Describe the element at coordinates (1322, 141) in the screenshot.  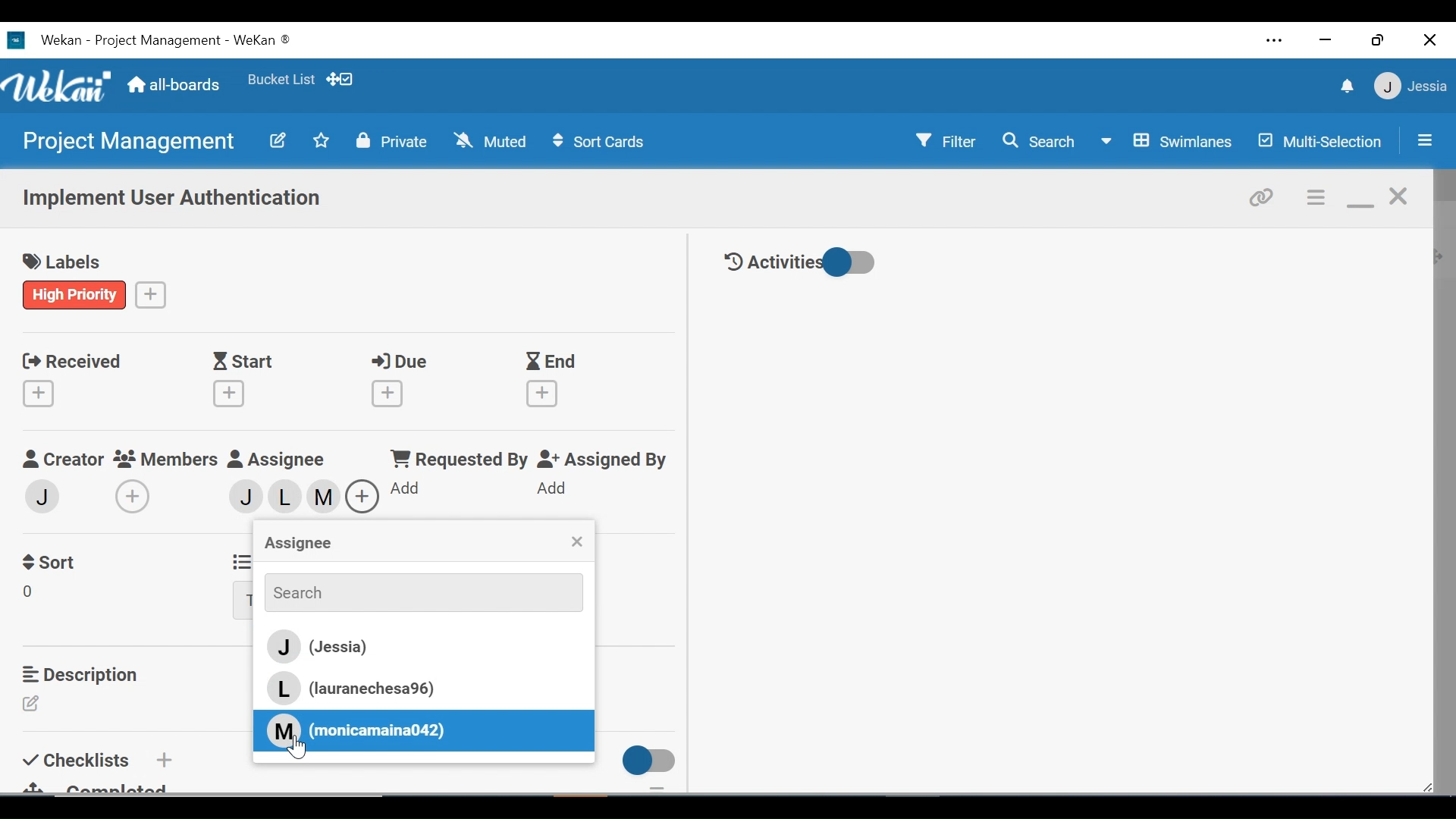
I see `Multi-selection` at that location.